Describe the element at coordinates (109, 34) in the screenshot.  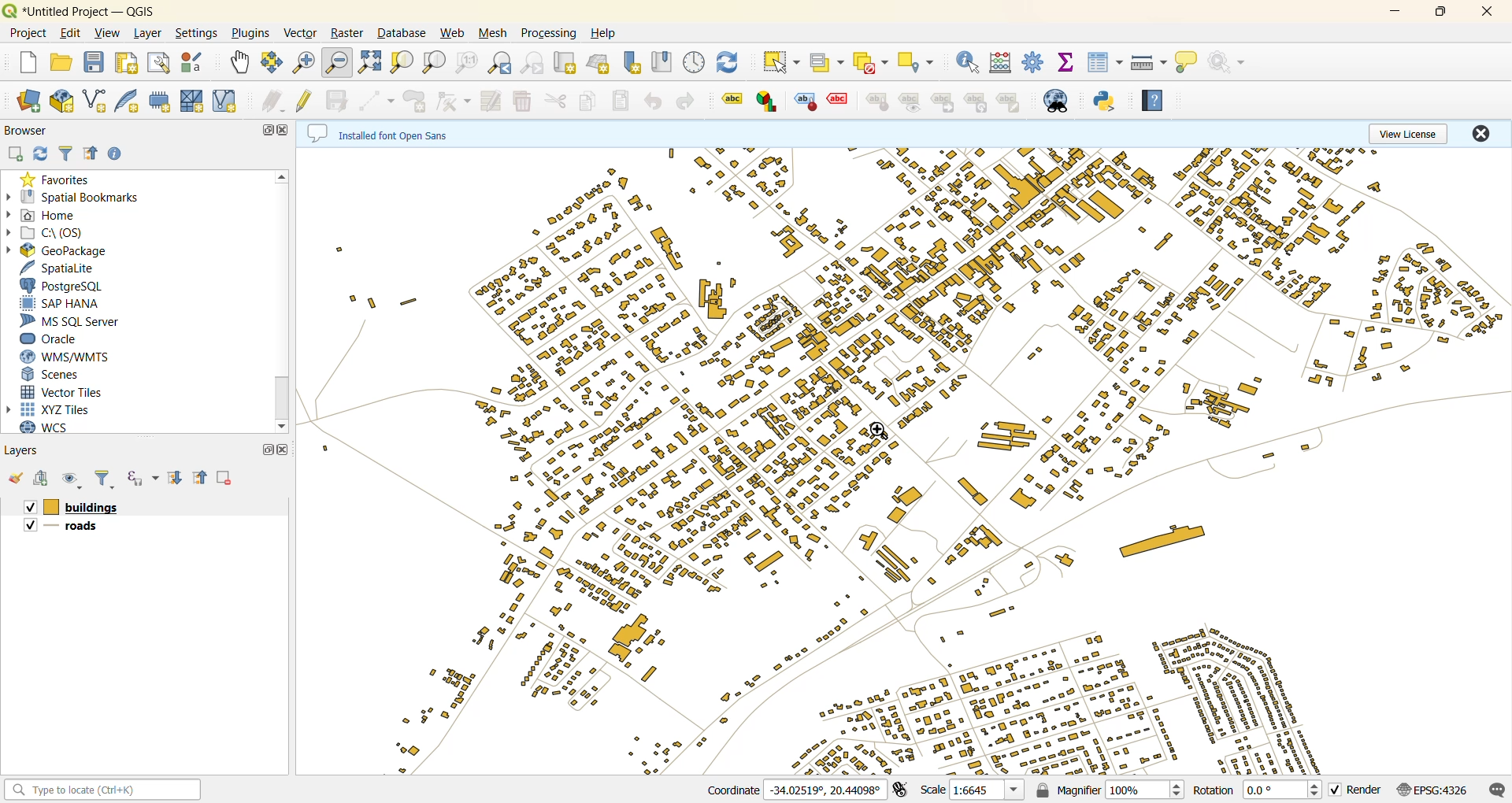
I see `view` at that location.